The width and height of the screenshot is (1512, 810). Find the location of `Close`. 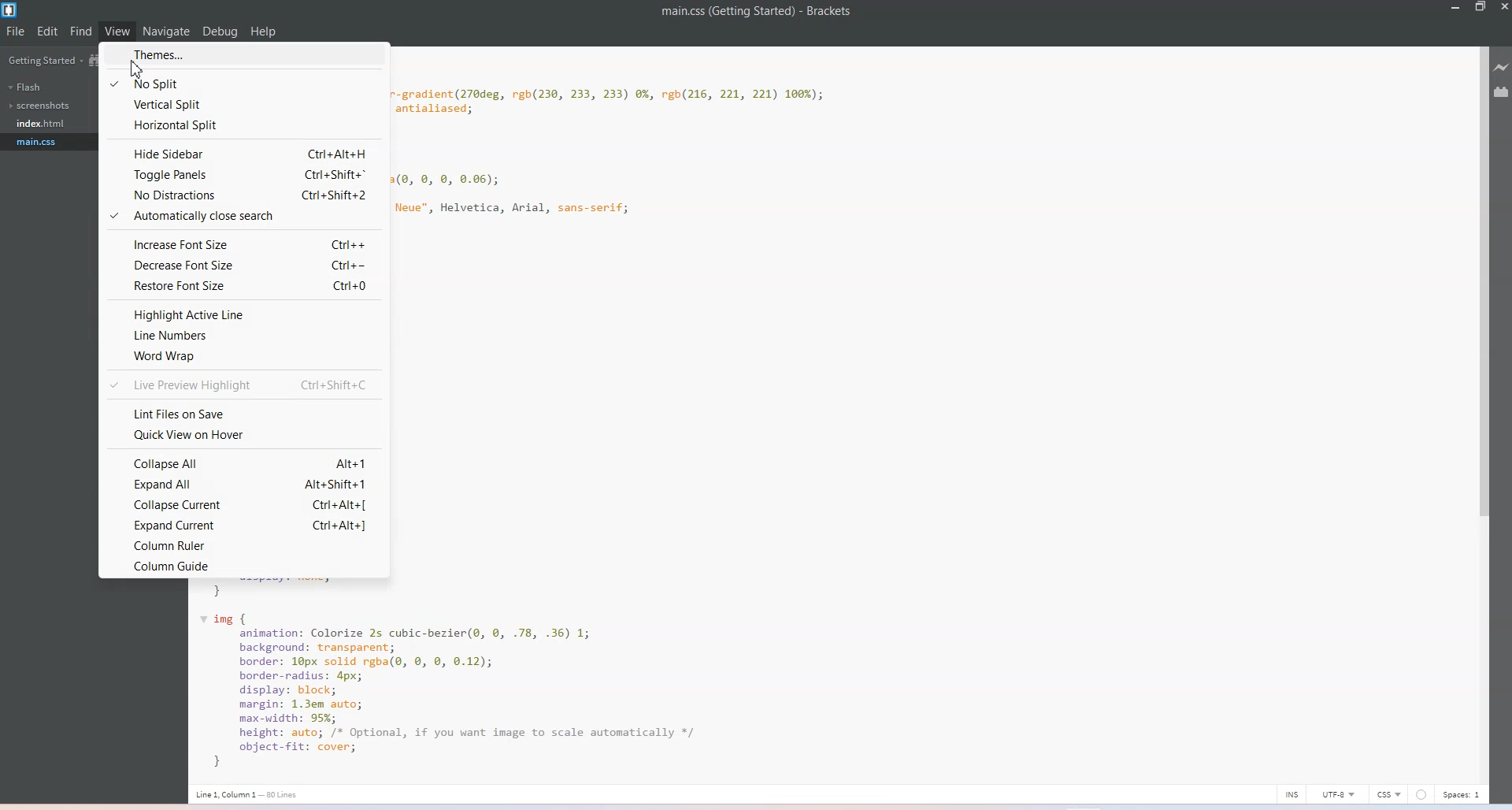

Close is located at coordinates (1503, 7).